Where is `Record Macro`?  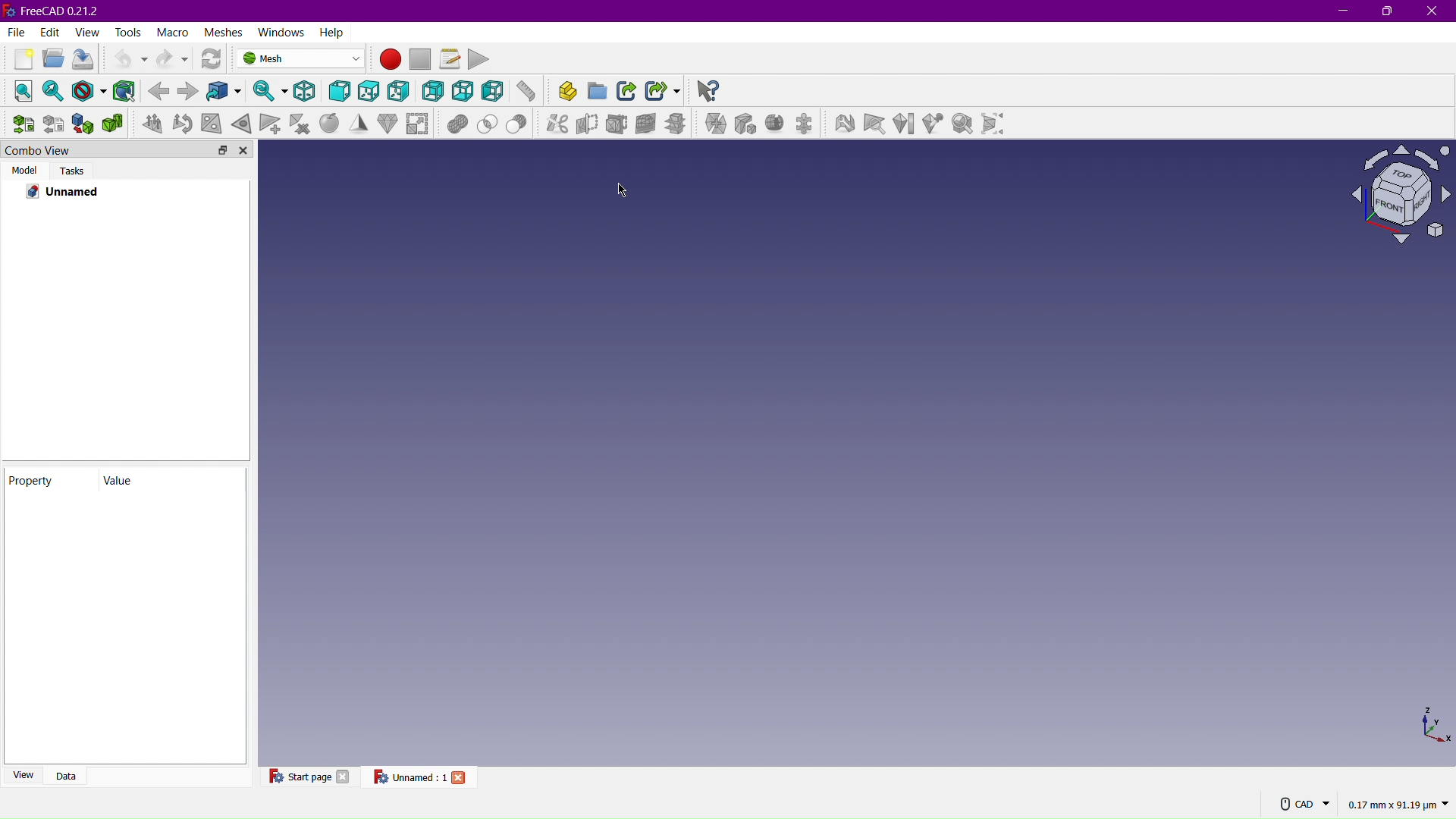
Record Macro is located at coordinates (391, 60).